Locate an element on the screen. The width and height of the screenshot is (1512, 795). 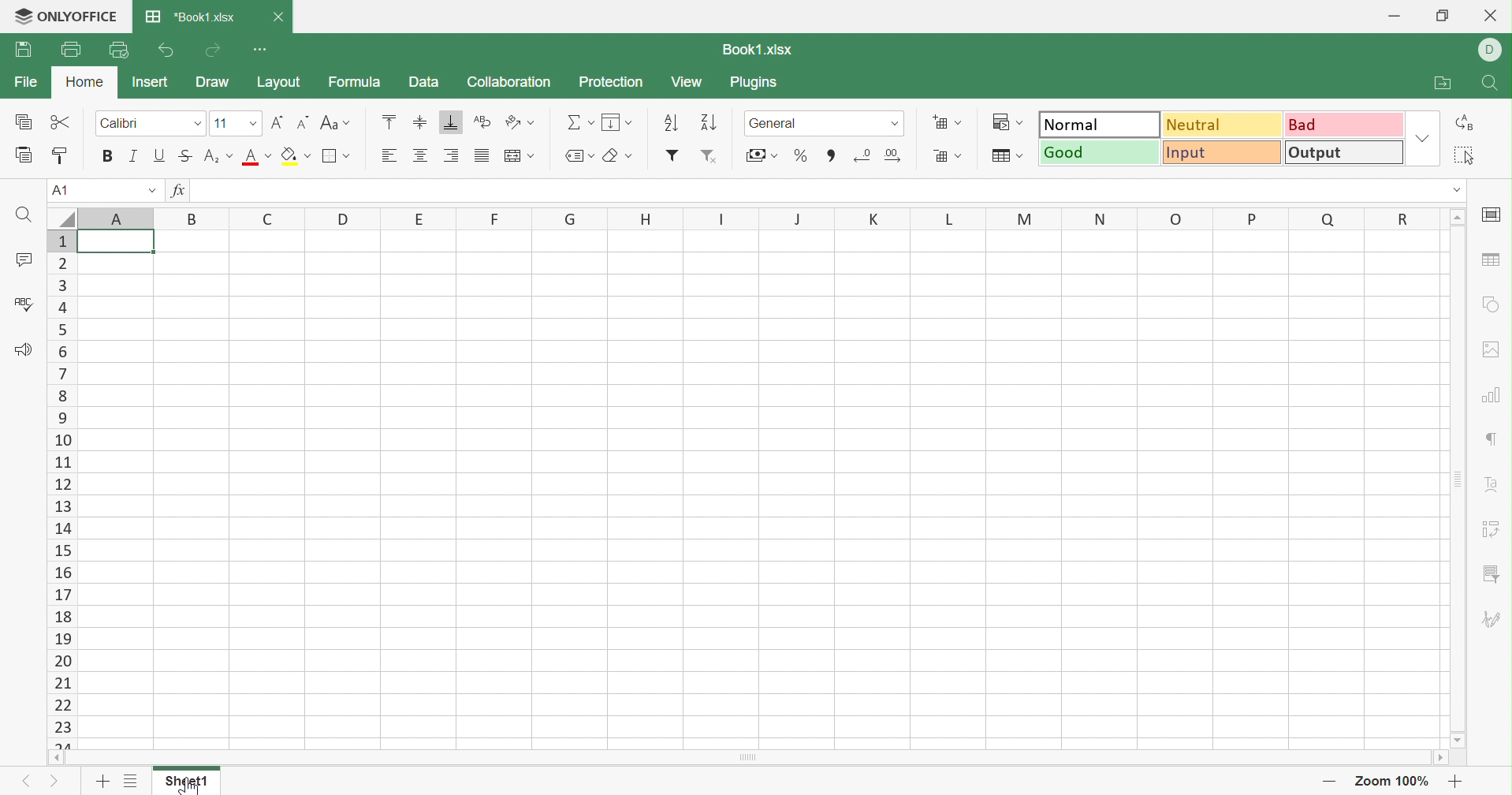
A1 is located at coordinates (65, 189).